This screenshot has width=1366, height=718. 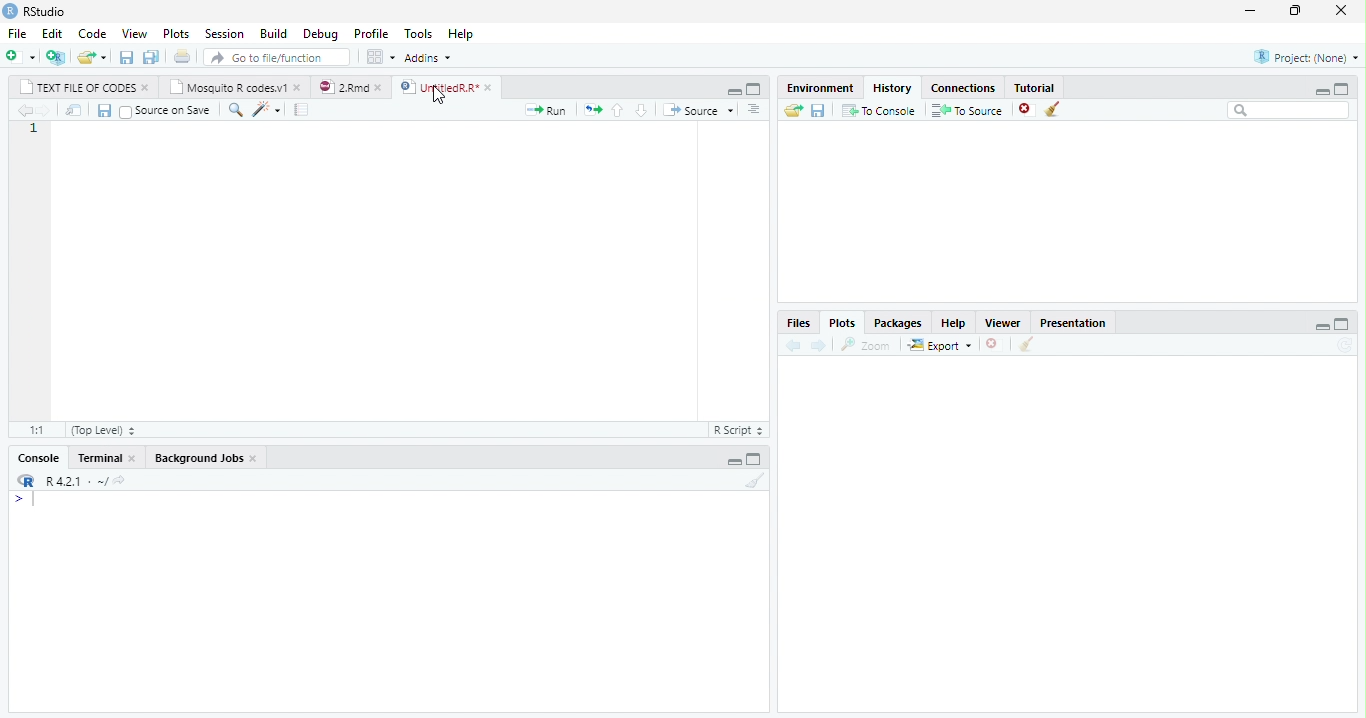 What do you see at coordinates (758, 460) in the screenshot?
I see `maximize` at bounding box center [758, 460].